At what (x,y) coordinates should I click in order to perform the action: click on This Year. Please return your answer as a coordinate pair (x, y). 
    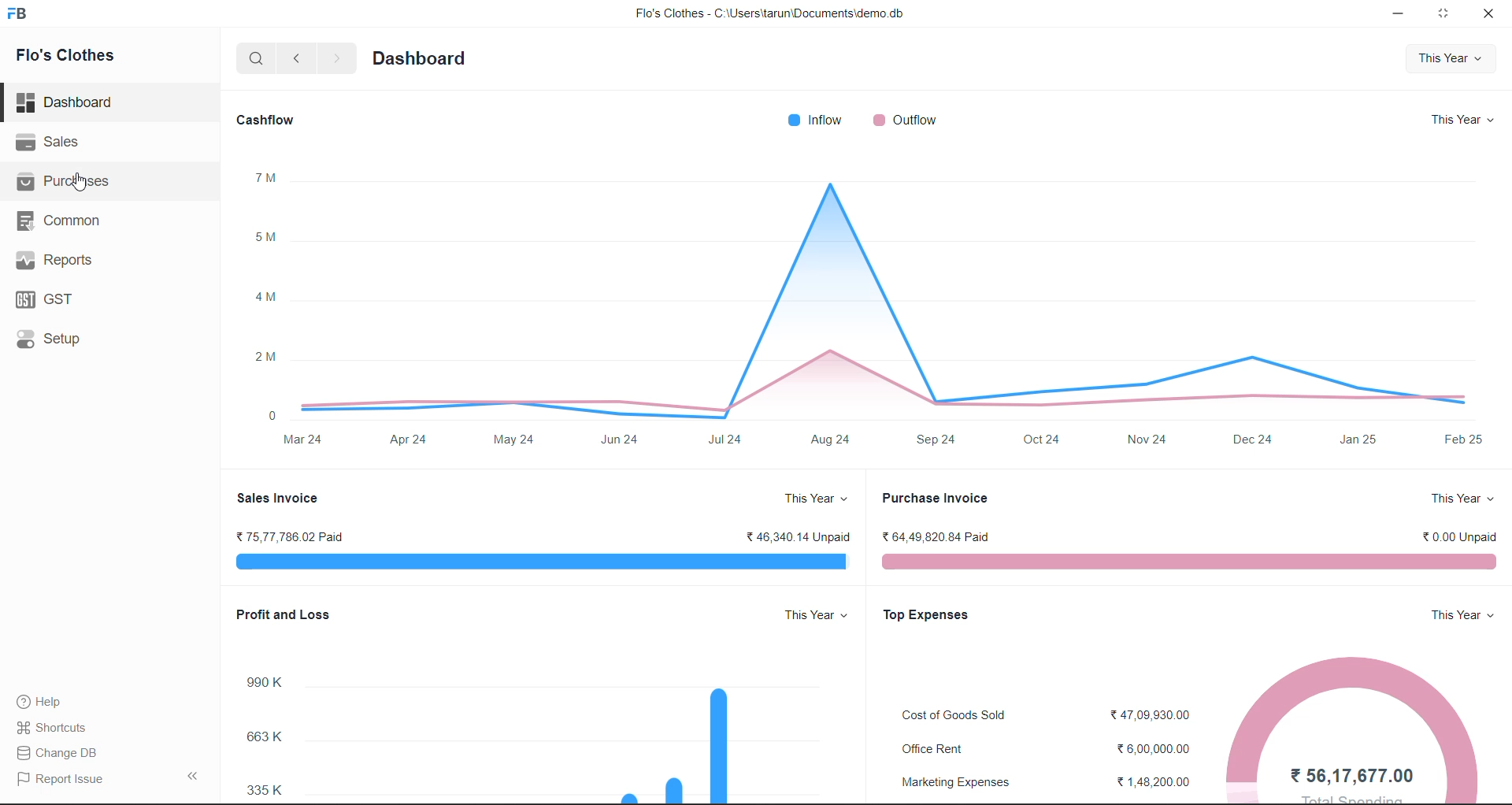
    Looking at the image, I should click on (810, 615).